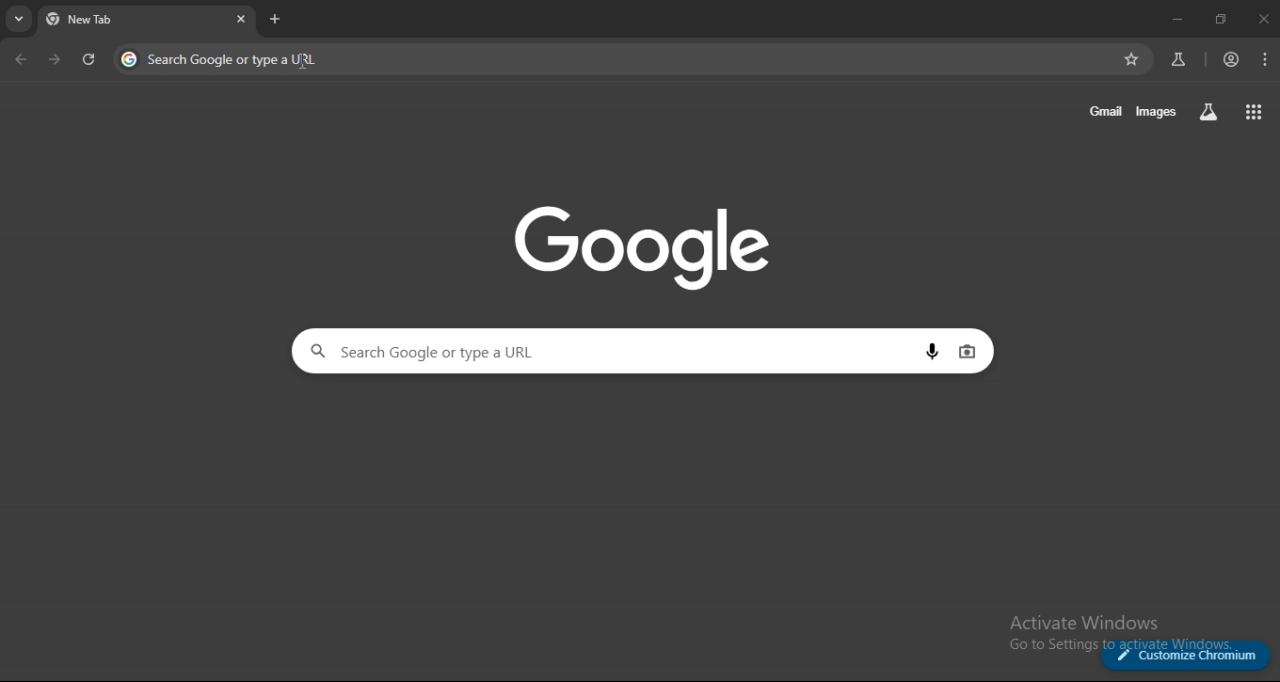 Image resolution: width=1280 pixels, height=682 pixels. What do you see at coordinates (1250, 111) in the screenshot?
I see `google apps` at bounding box center [1250, 111].